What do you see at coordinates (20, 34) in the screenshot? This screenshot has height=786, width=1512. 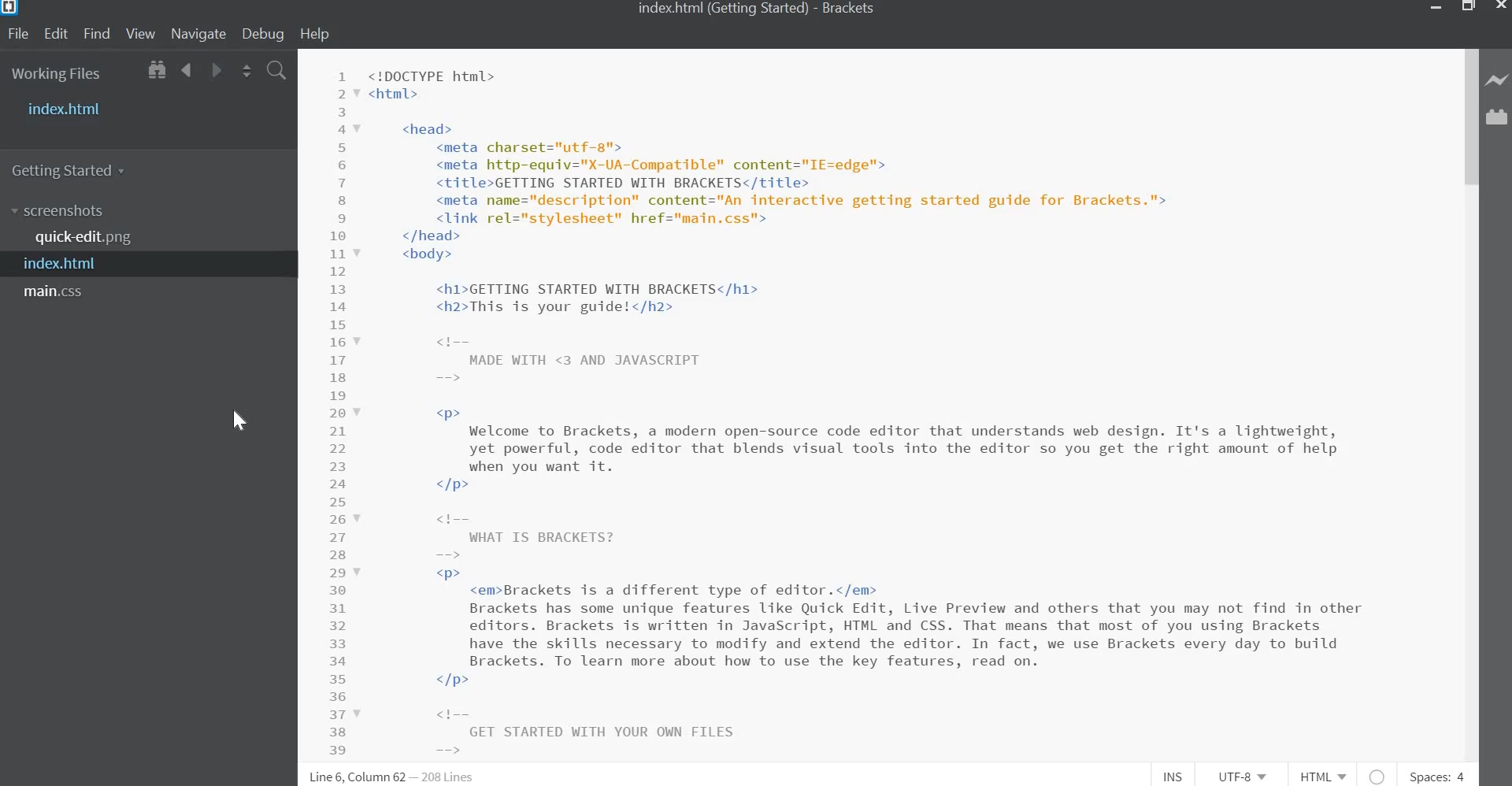 I see `File` at bounding box center [20, 34].